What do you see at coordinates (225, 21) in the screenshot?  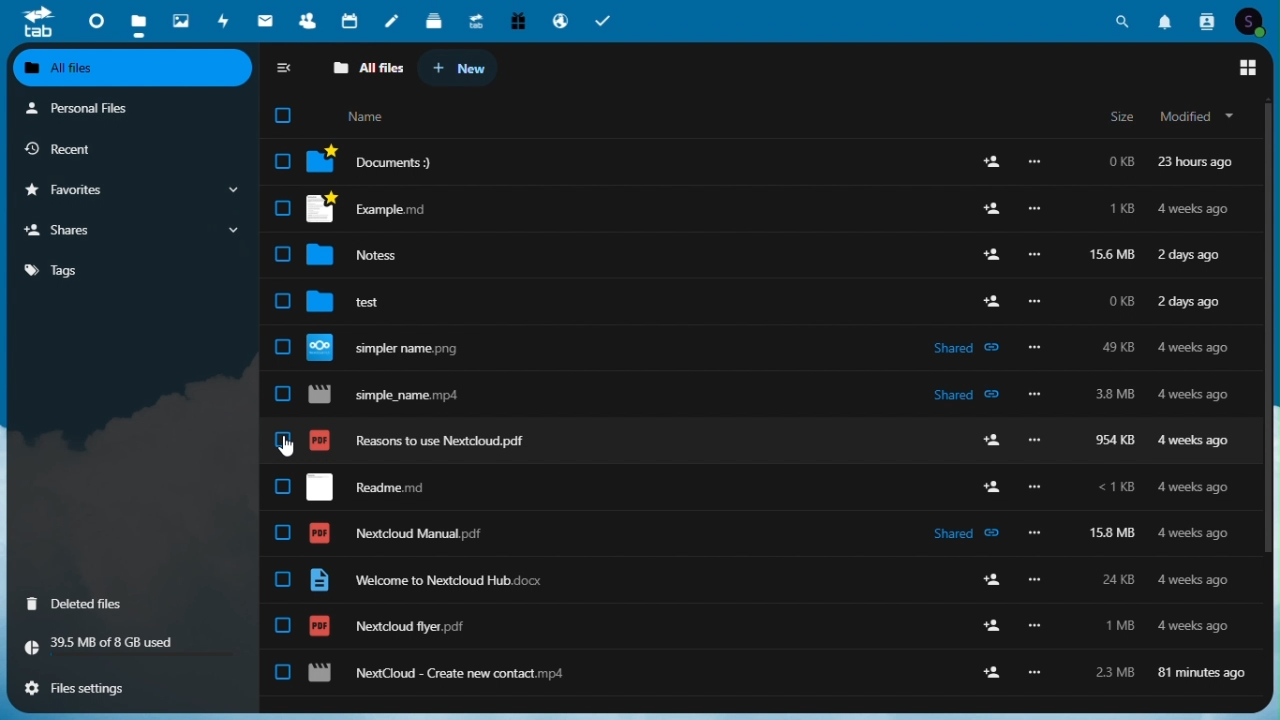 I see `Activity` at bounding box center [225, 21].